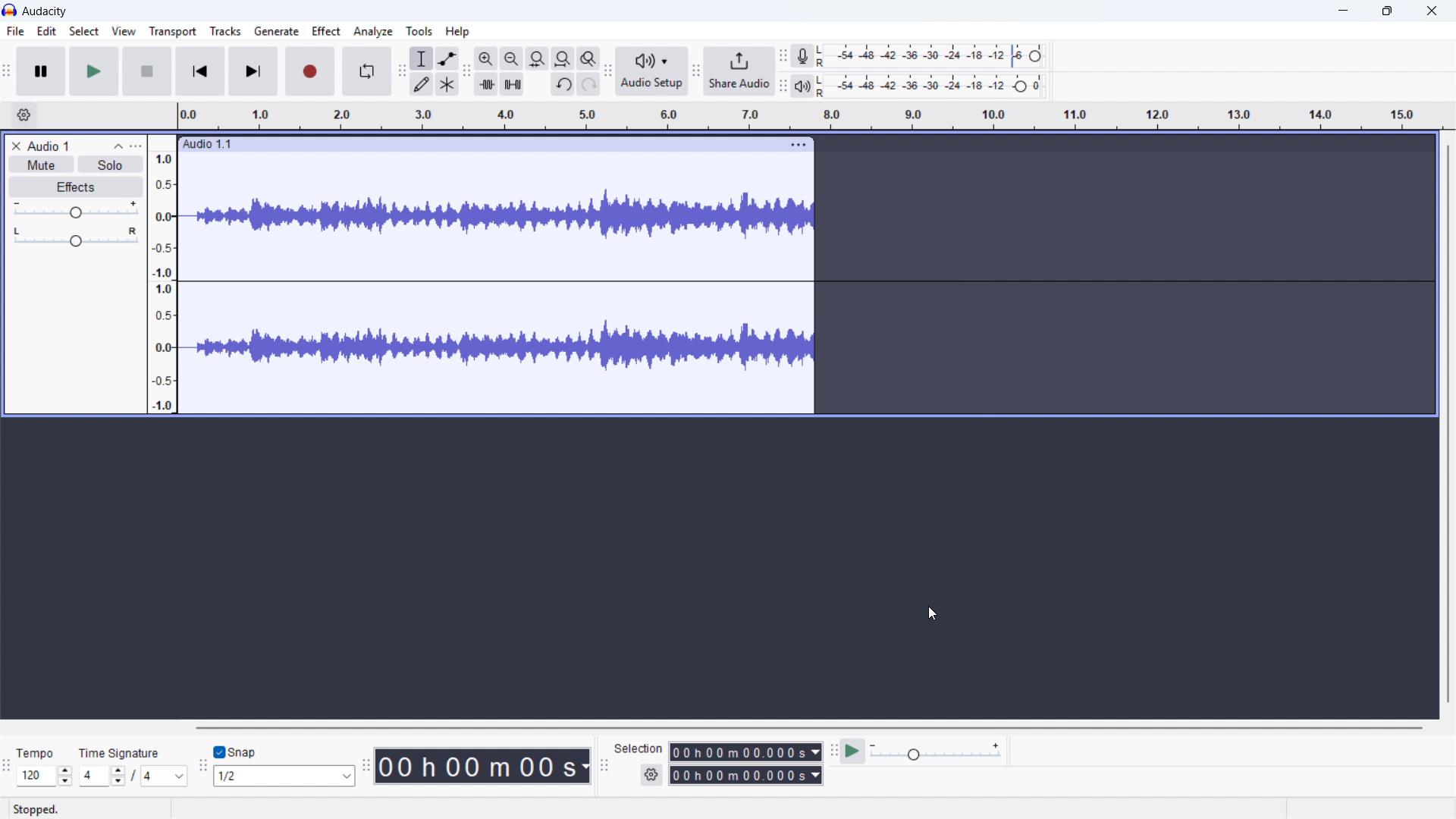  What do you see at coordinates (588, 83) in the screenshot?
I see `Redo ` at bounding box center [588, 83].